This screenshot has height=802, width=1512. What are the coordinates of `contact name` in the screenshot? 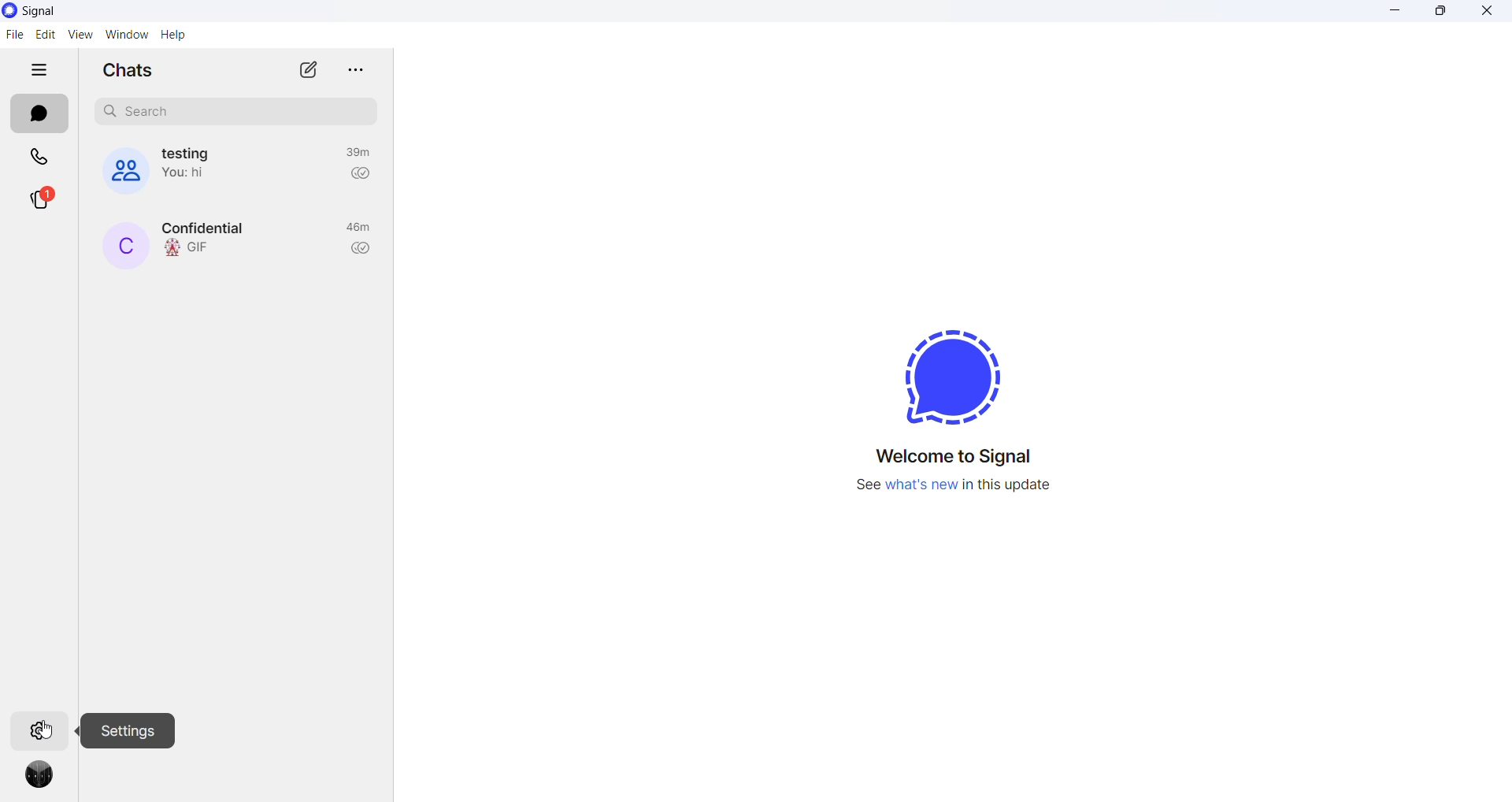 It's located at (124, 247).